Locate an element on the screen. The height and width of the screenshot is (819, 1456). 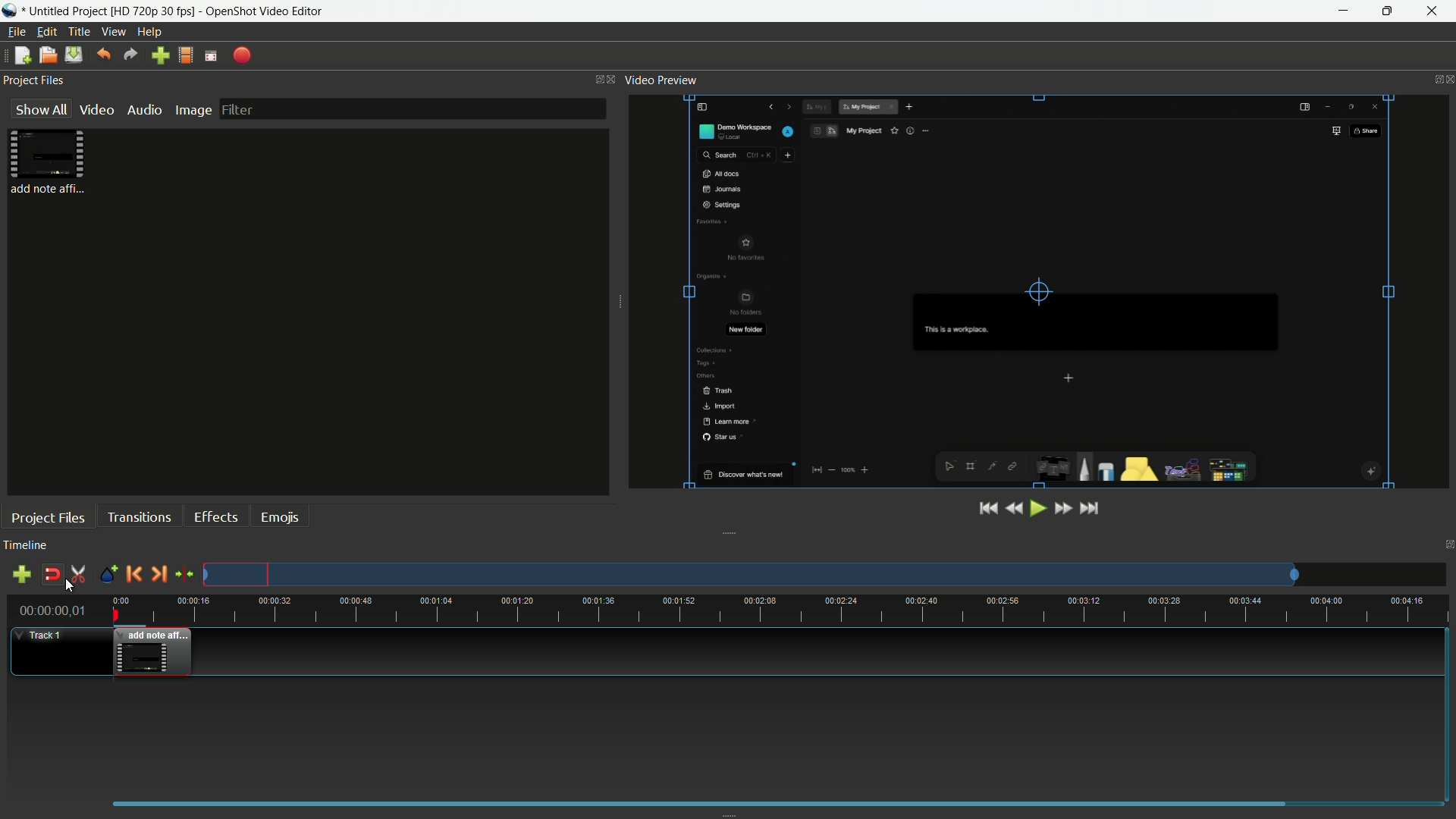
minimize is located at coordinates (1341, 11).